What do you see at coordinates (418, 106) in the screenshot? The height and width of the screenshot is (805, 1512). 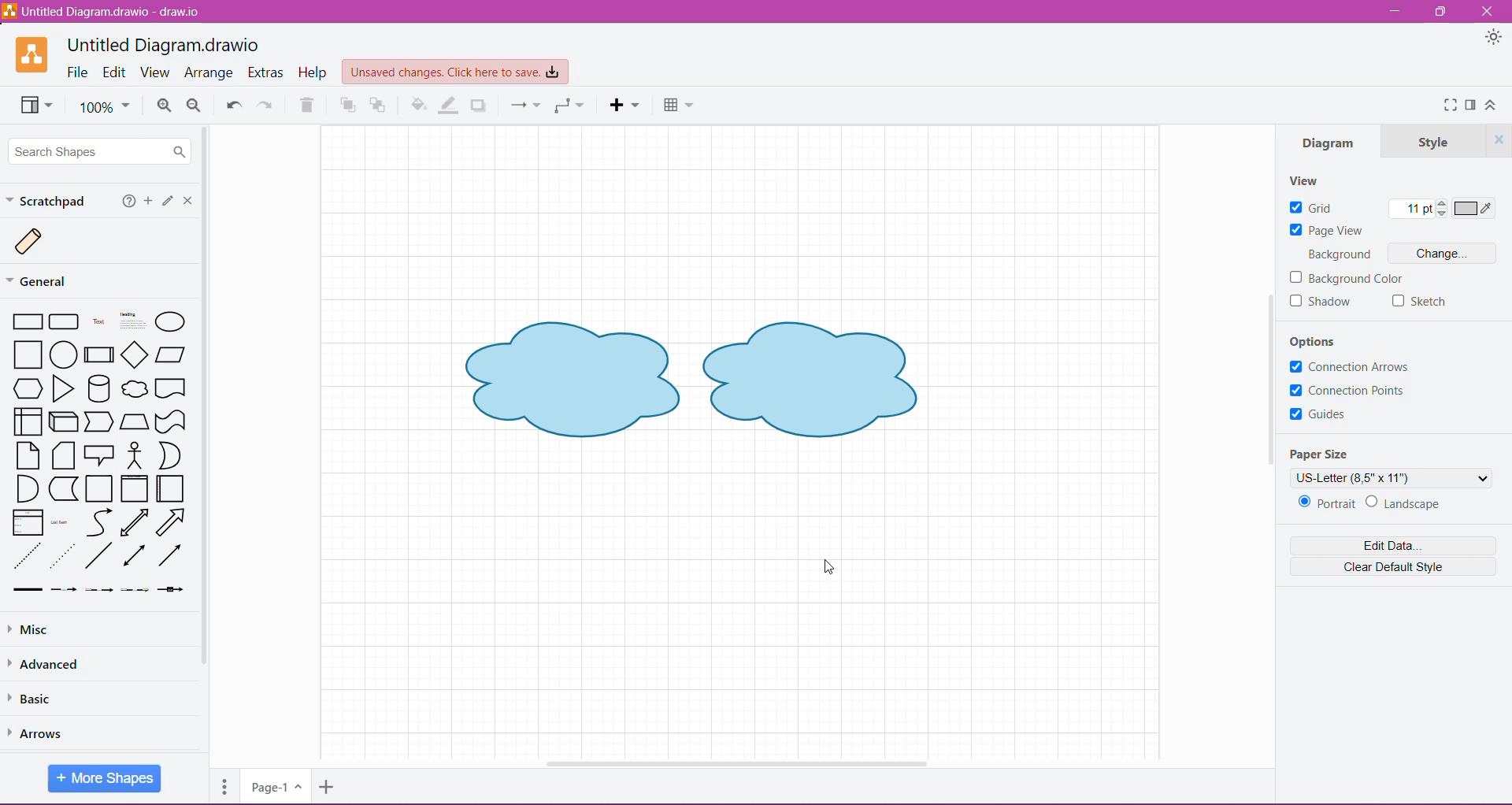 I see `Fill Color` at bounding box center [418, 106].